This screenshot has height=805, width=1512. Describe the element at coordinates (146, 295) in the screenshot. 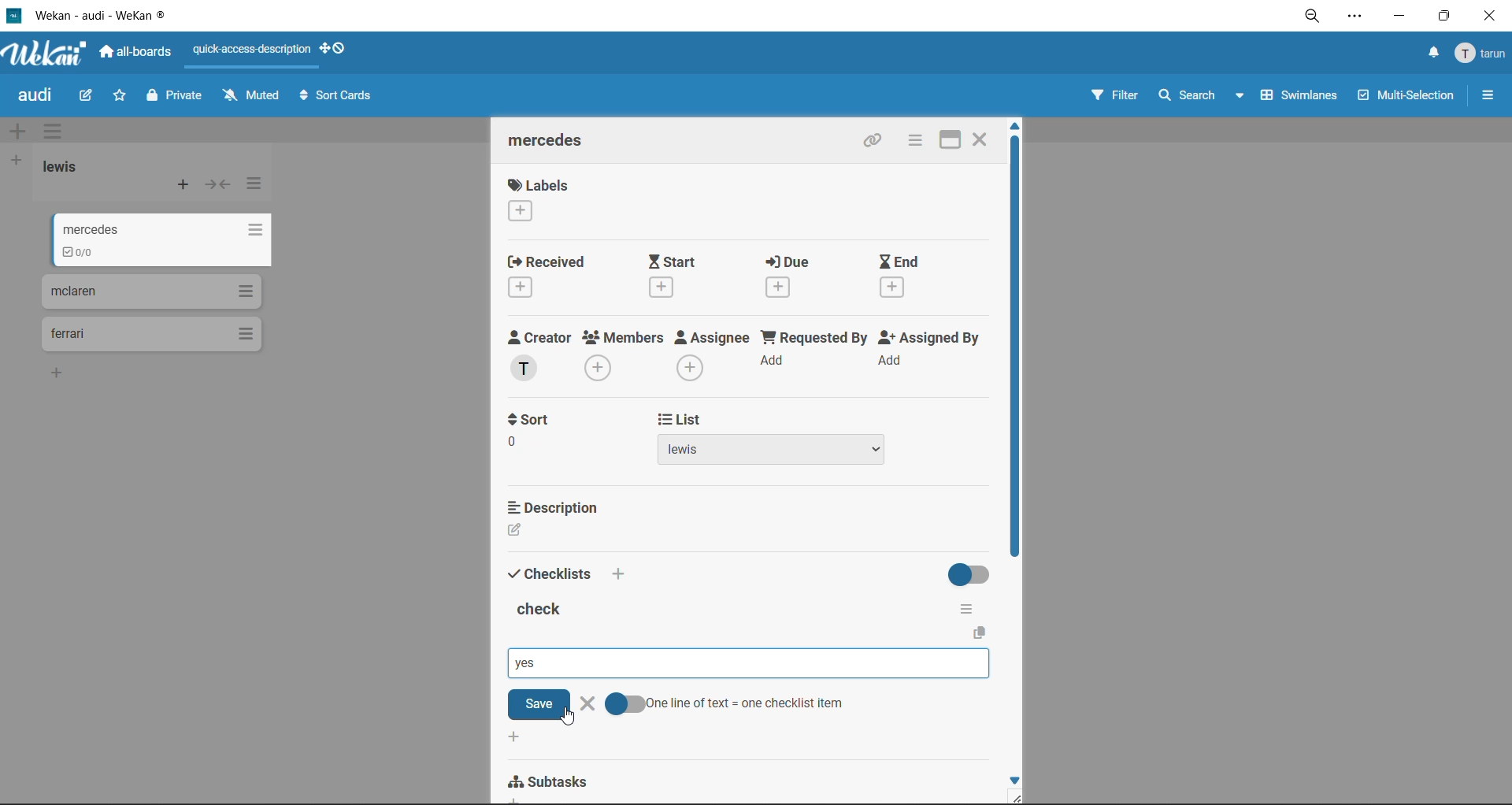

I see `cards` at that location.